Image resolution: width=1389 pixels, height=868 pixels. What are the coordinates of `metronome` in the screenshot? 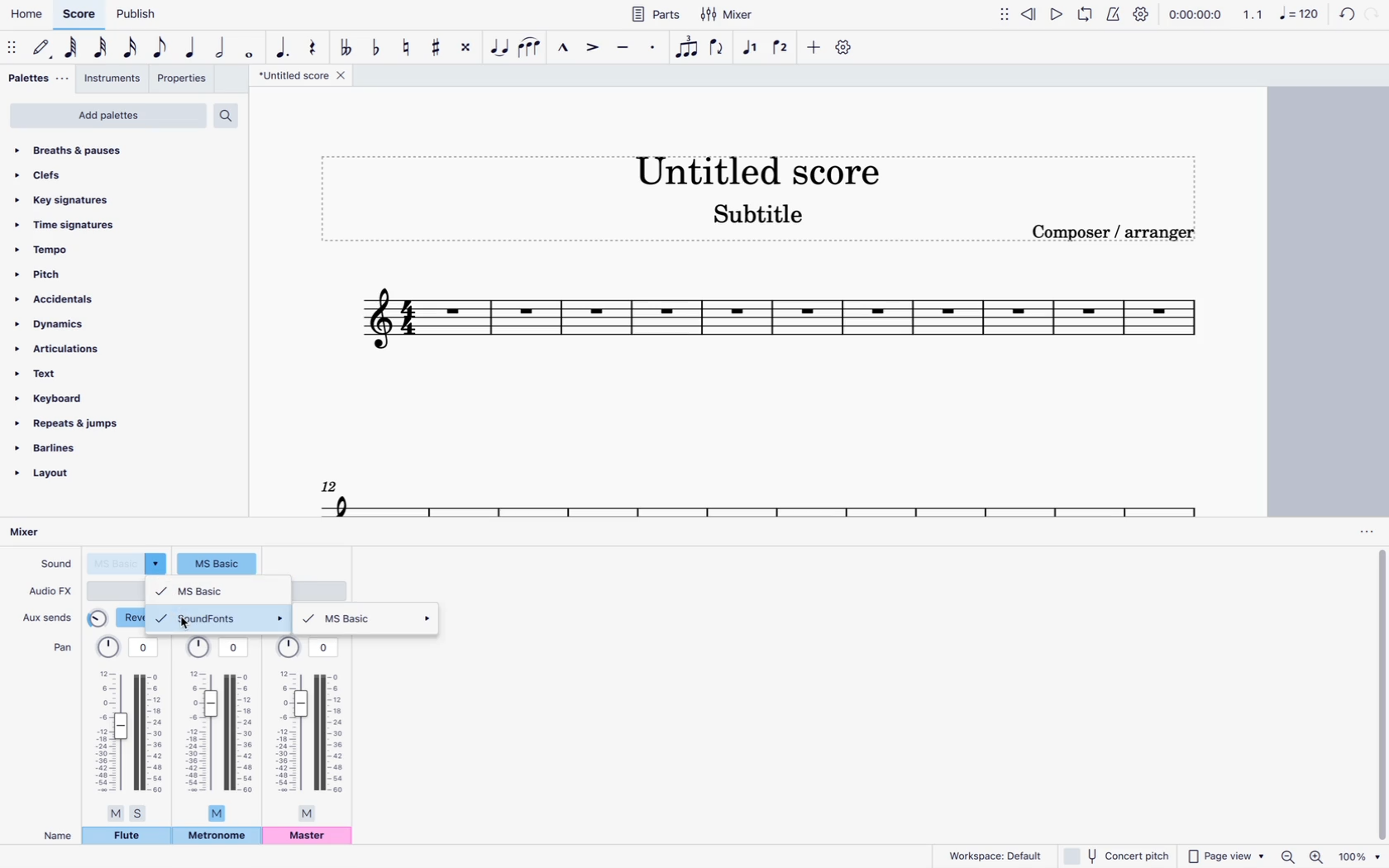 It's located at (217, 837).